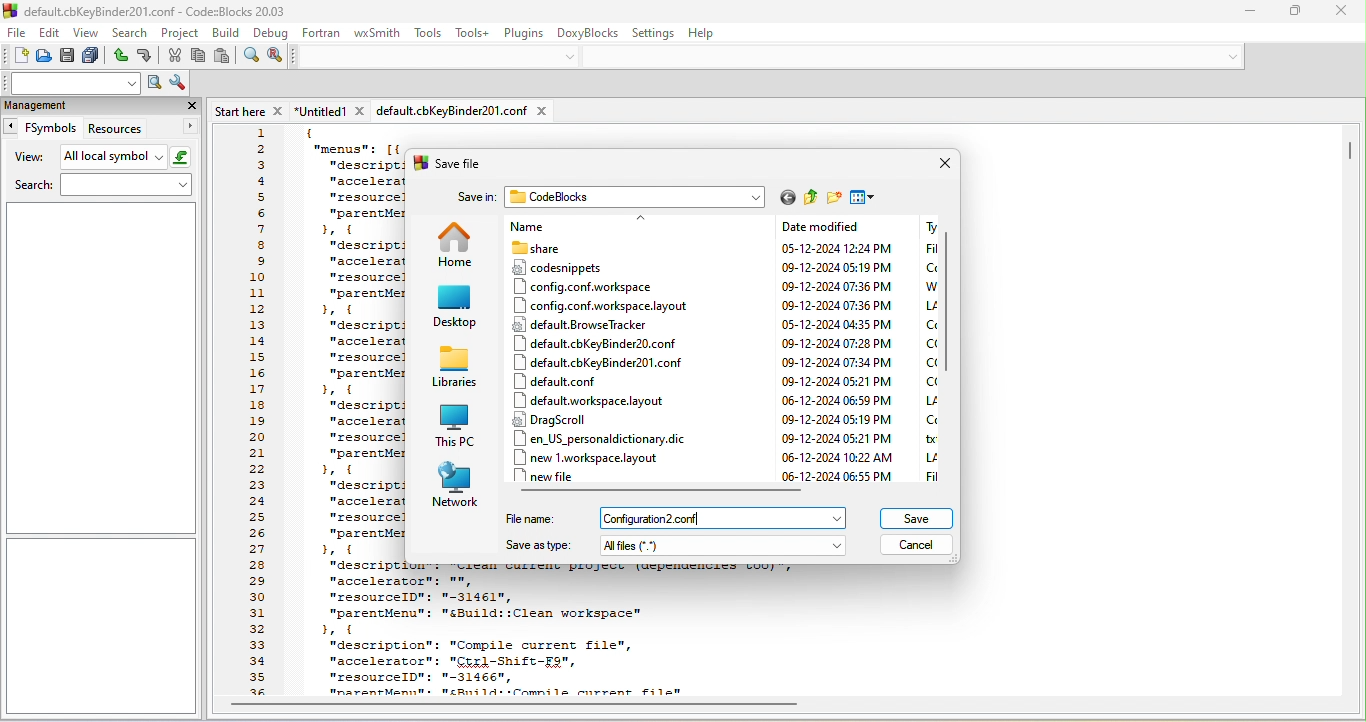 This screenshot has width=1366, height=722. What do you see at coordinates (181, 34) in the screenshot?
I see `project` at bounding box center [181, 34].